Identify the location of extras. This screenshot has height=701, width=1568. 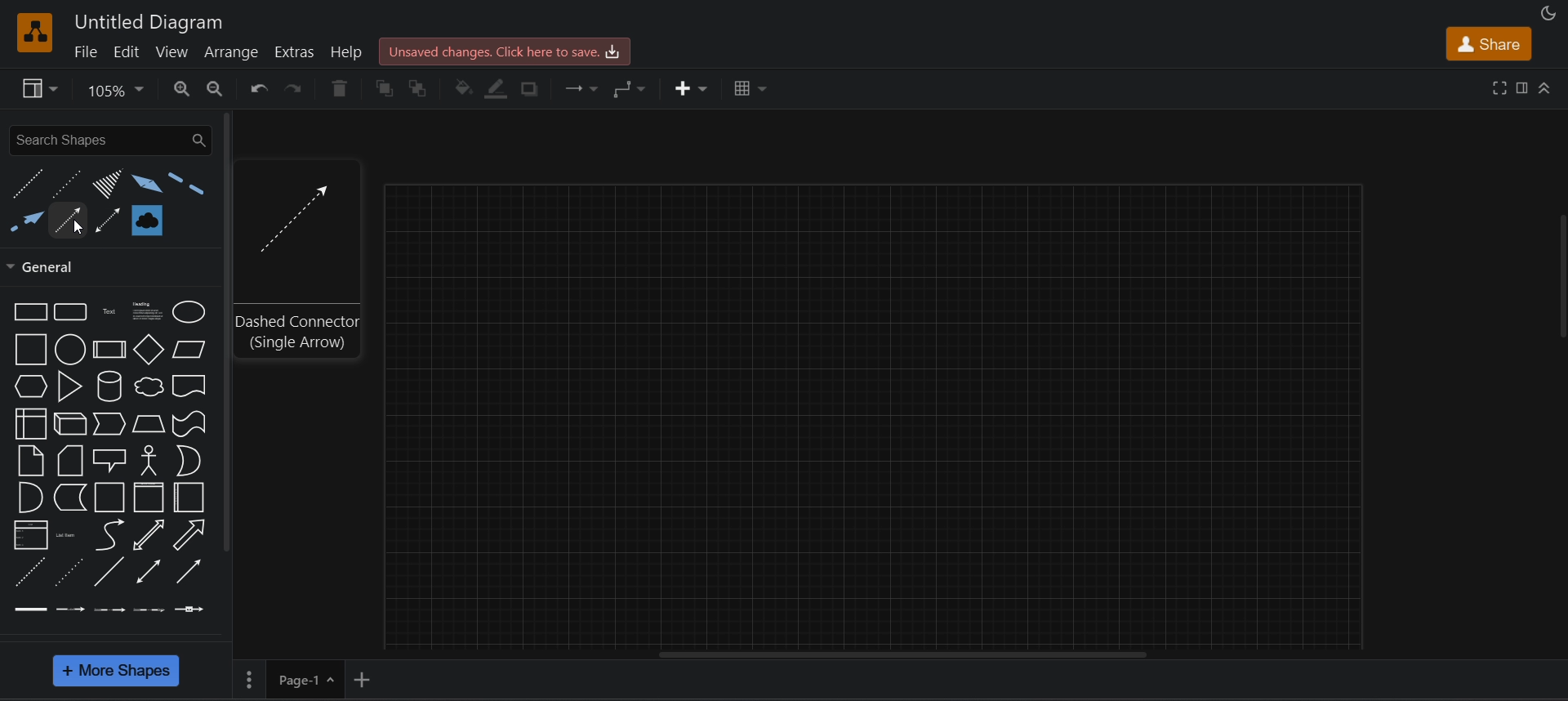
(295, 51).